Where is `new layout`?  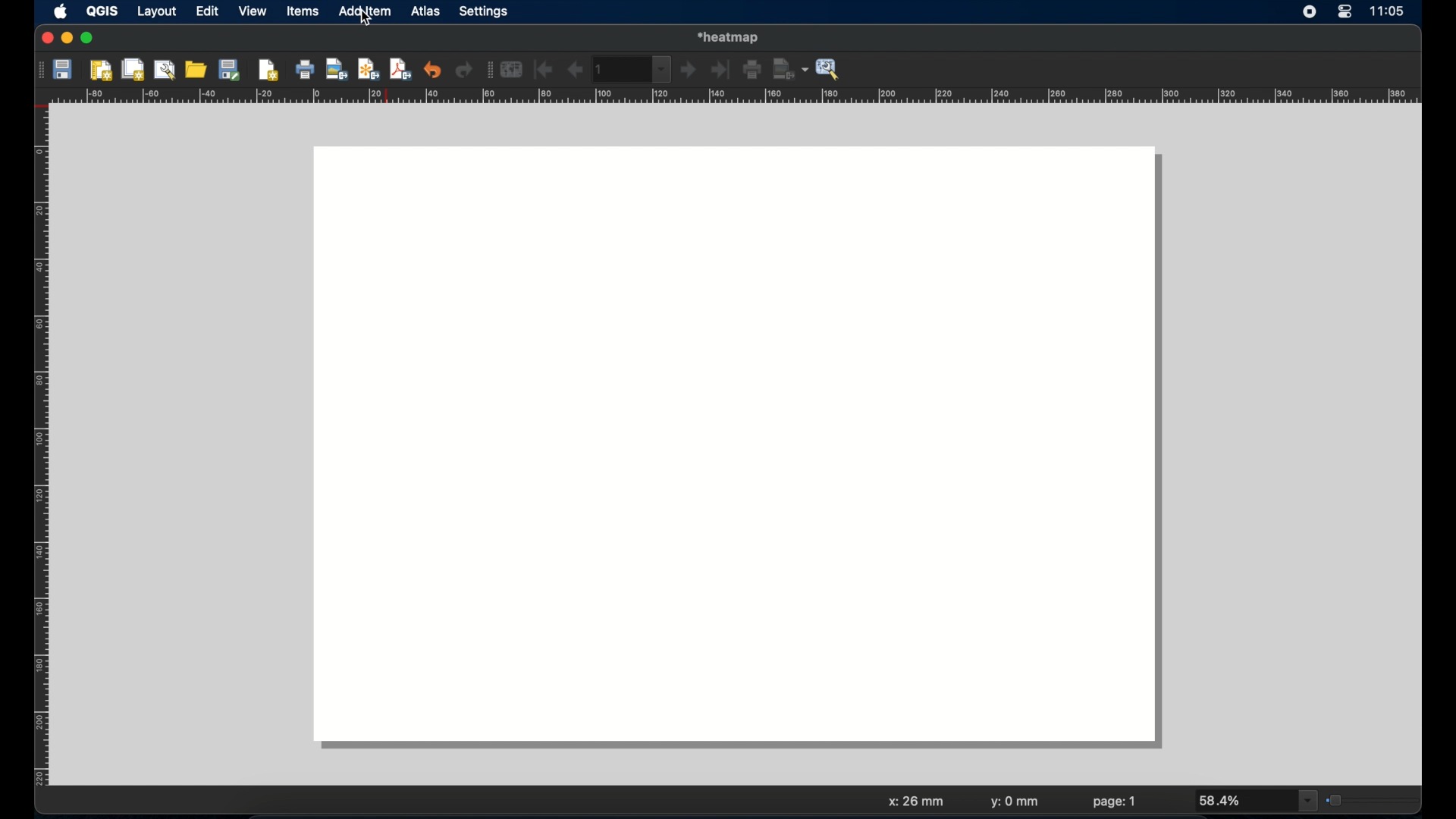 new layout is located at coordinates (102, 71).